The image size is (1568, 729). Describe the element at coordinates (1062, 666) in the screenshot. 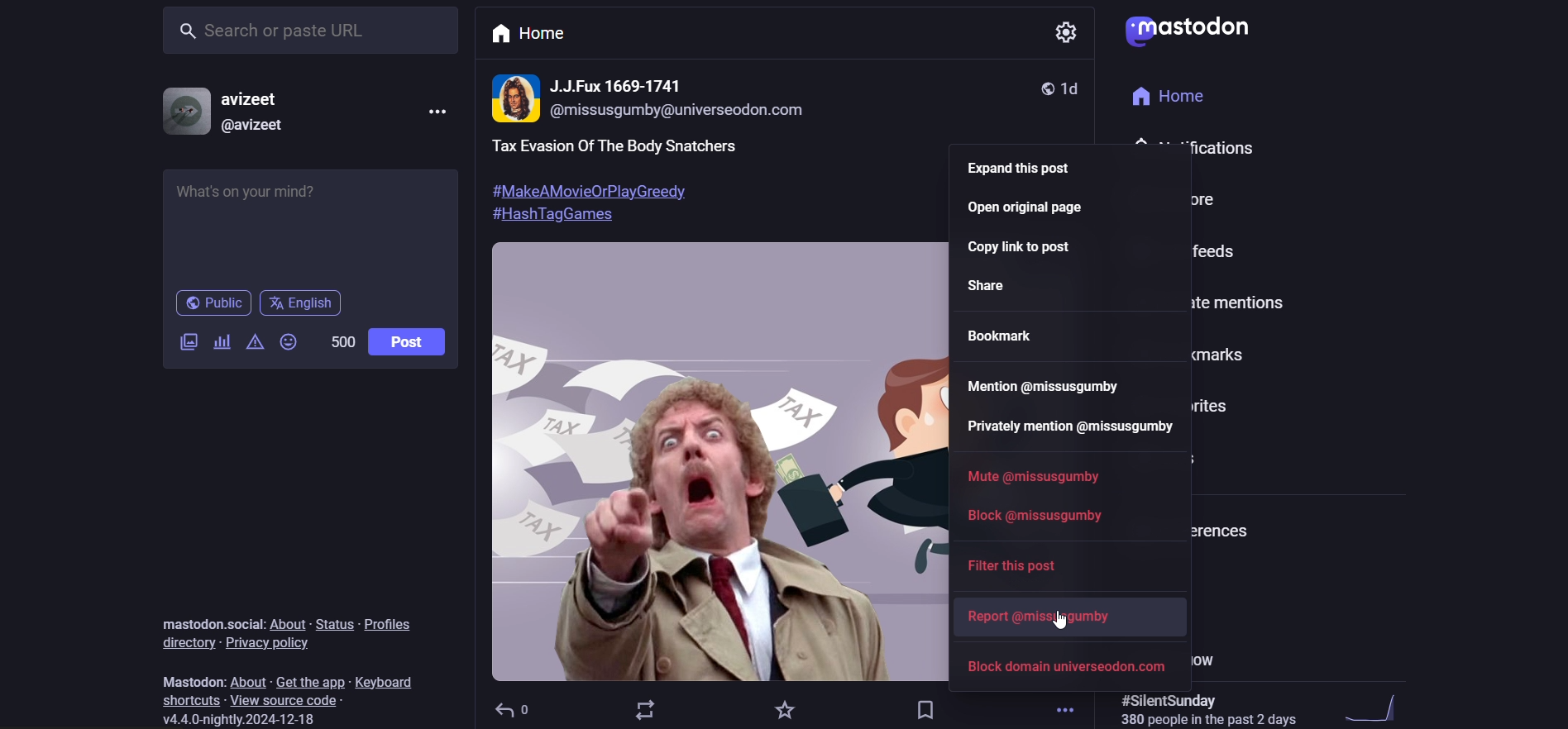

I see `block domain` at that location.